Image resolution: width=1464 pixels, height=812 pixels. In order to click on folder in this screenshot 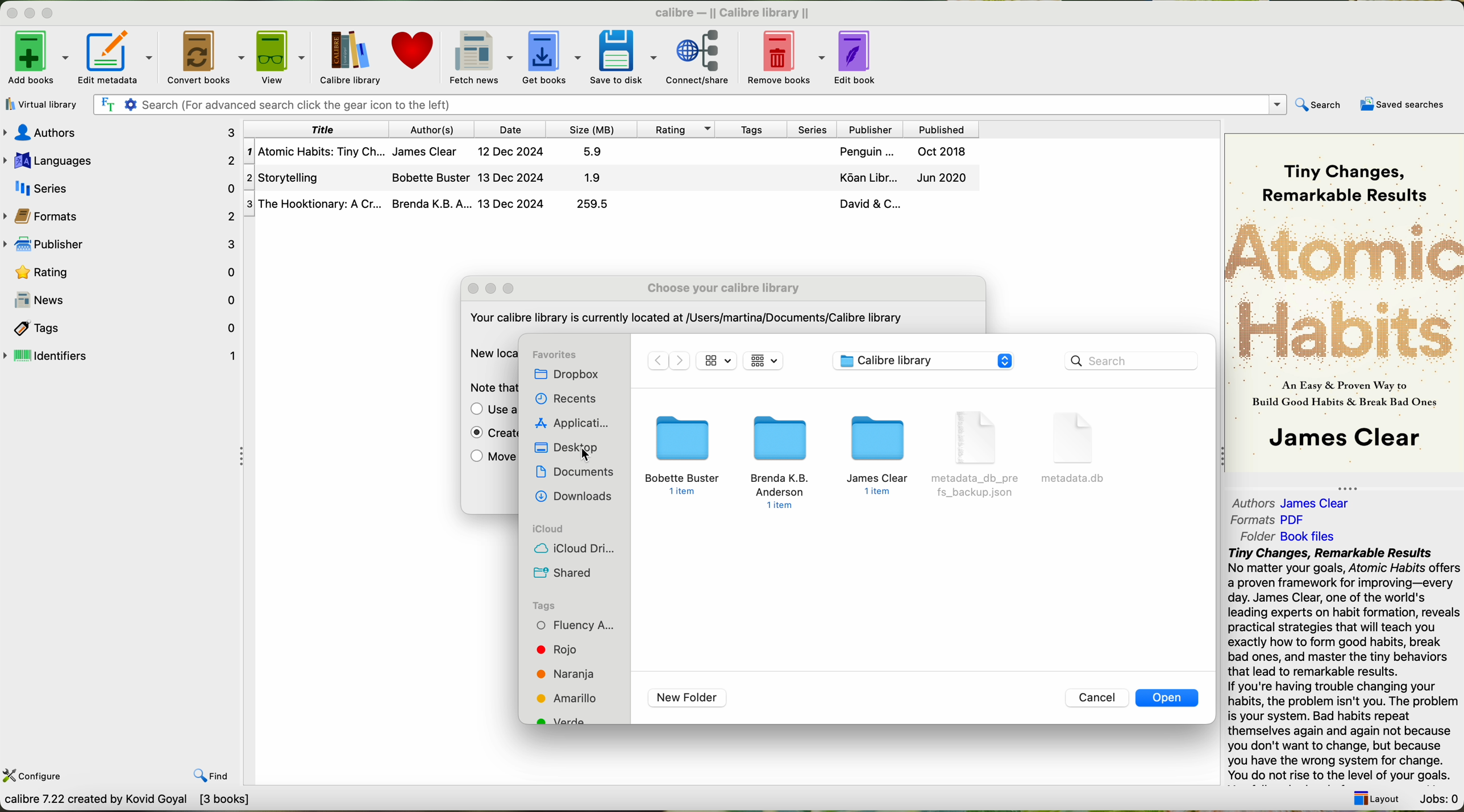, I will do `click(683, 455)`.